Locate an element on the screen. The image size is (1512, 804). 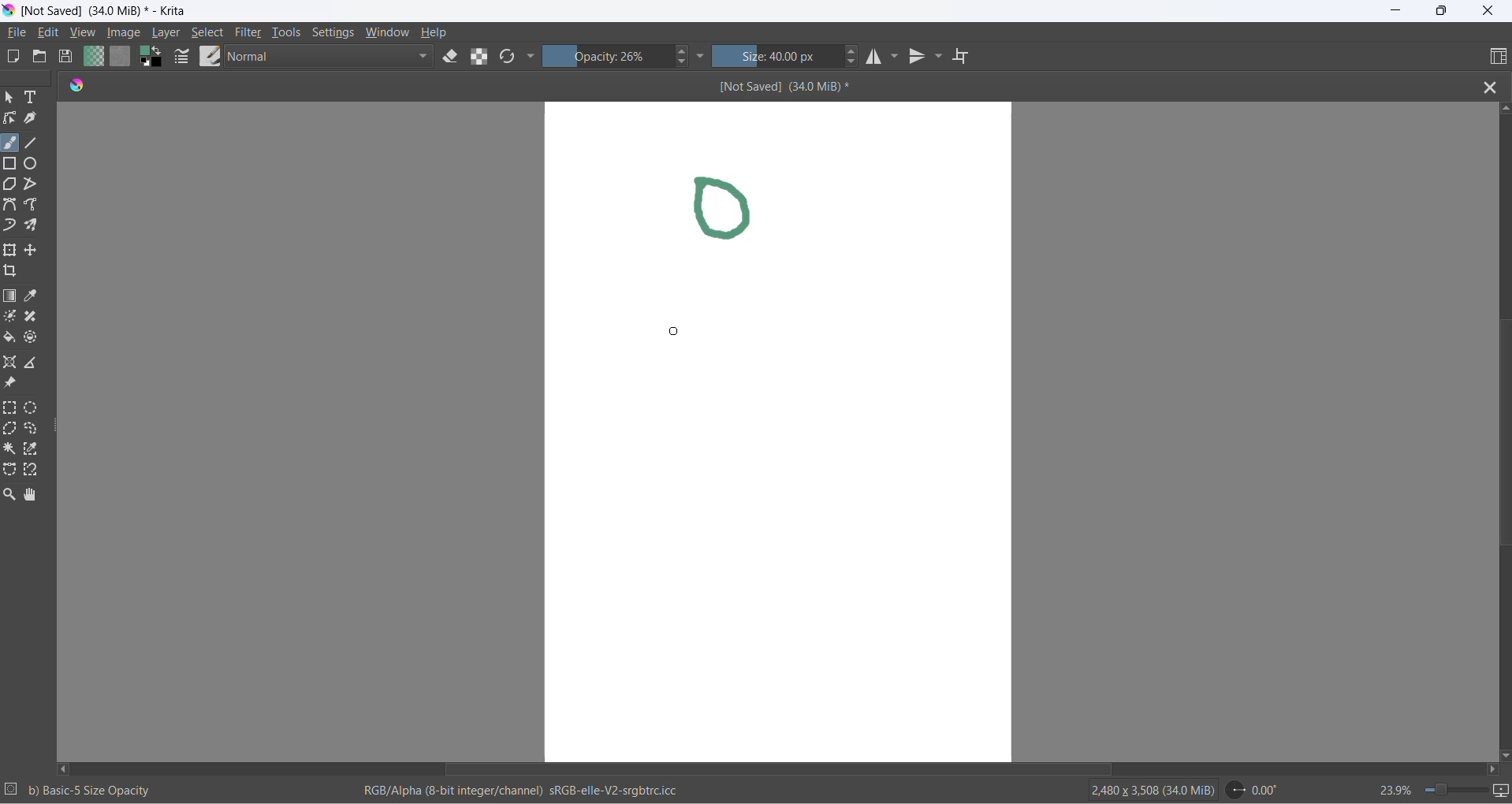
decrease opacity button is located at coordinates (685, 63).